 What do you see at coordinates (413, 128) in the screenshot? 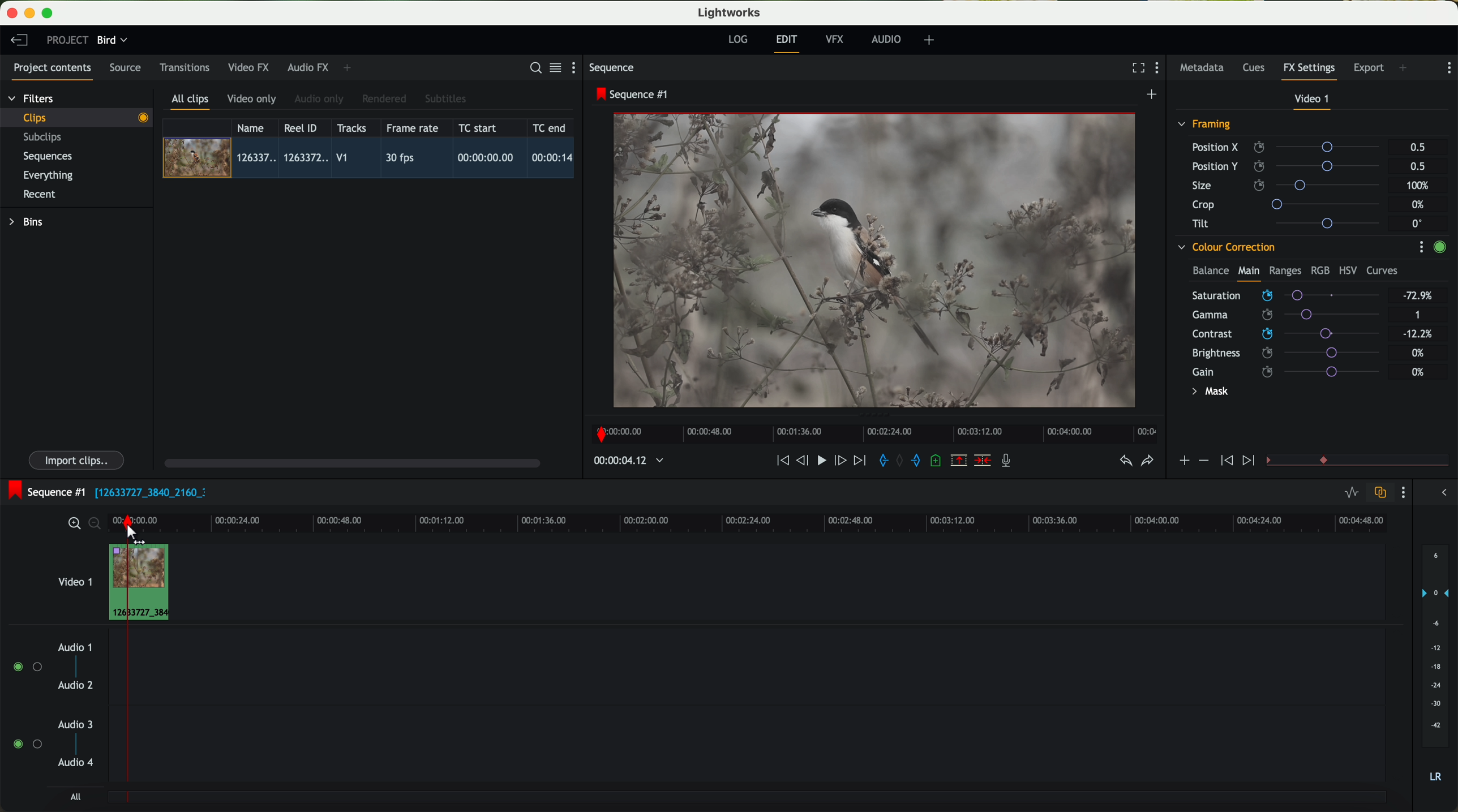
I see `frame rate` at bounding box center [413, 128].